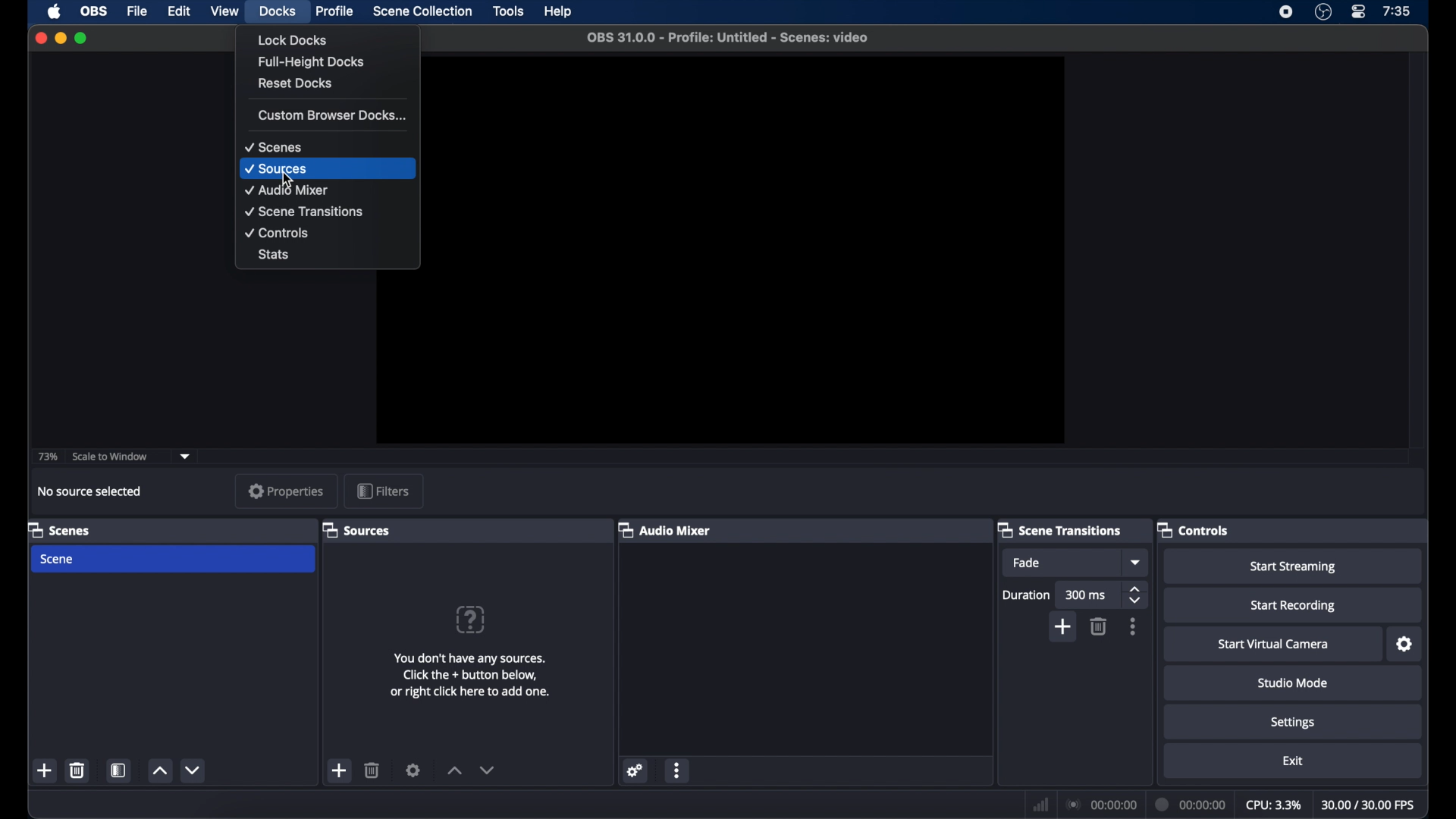 The width and height of the screenshot is (1456, 819). What do you see at coordinates (77, 770) in the screenshot?
I see `delete` at bounding box center [77, 770].